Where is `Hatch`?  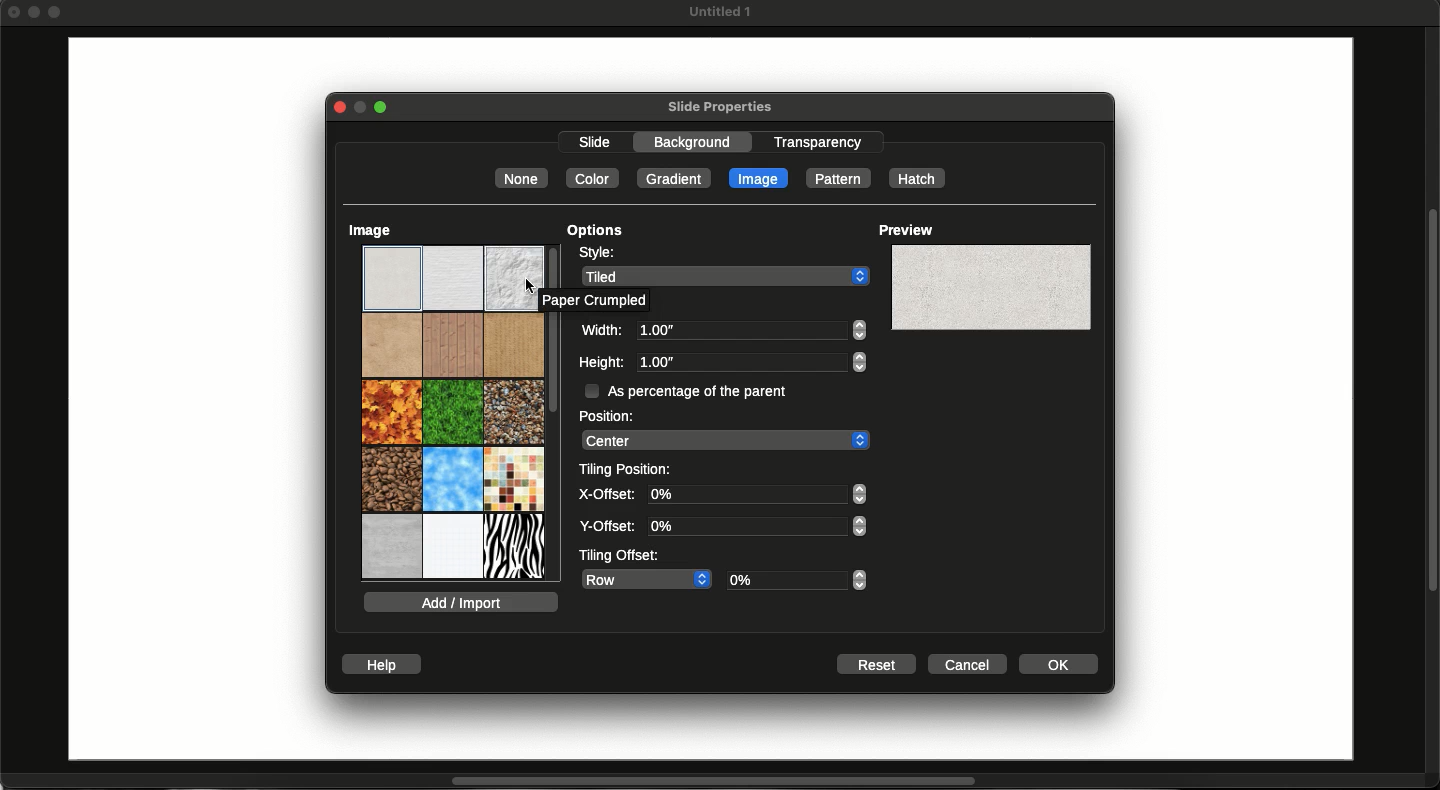
Hatch is located at coordinates (917, 178).